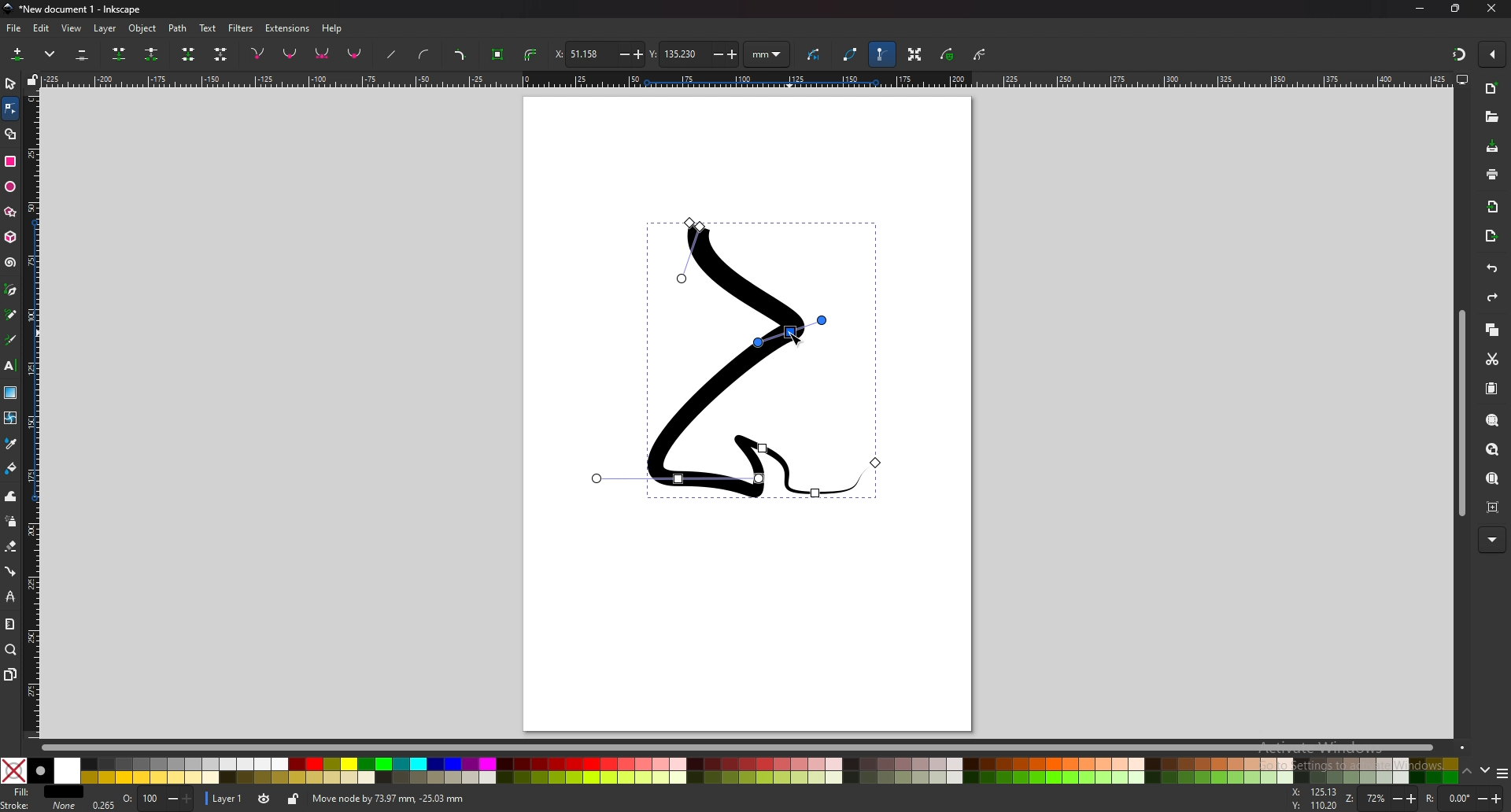 This screenshot has height=812, width=1511. Describe the element at coordinates (10, 418) in the screenshot. I see `mesh` at that location.